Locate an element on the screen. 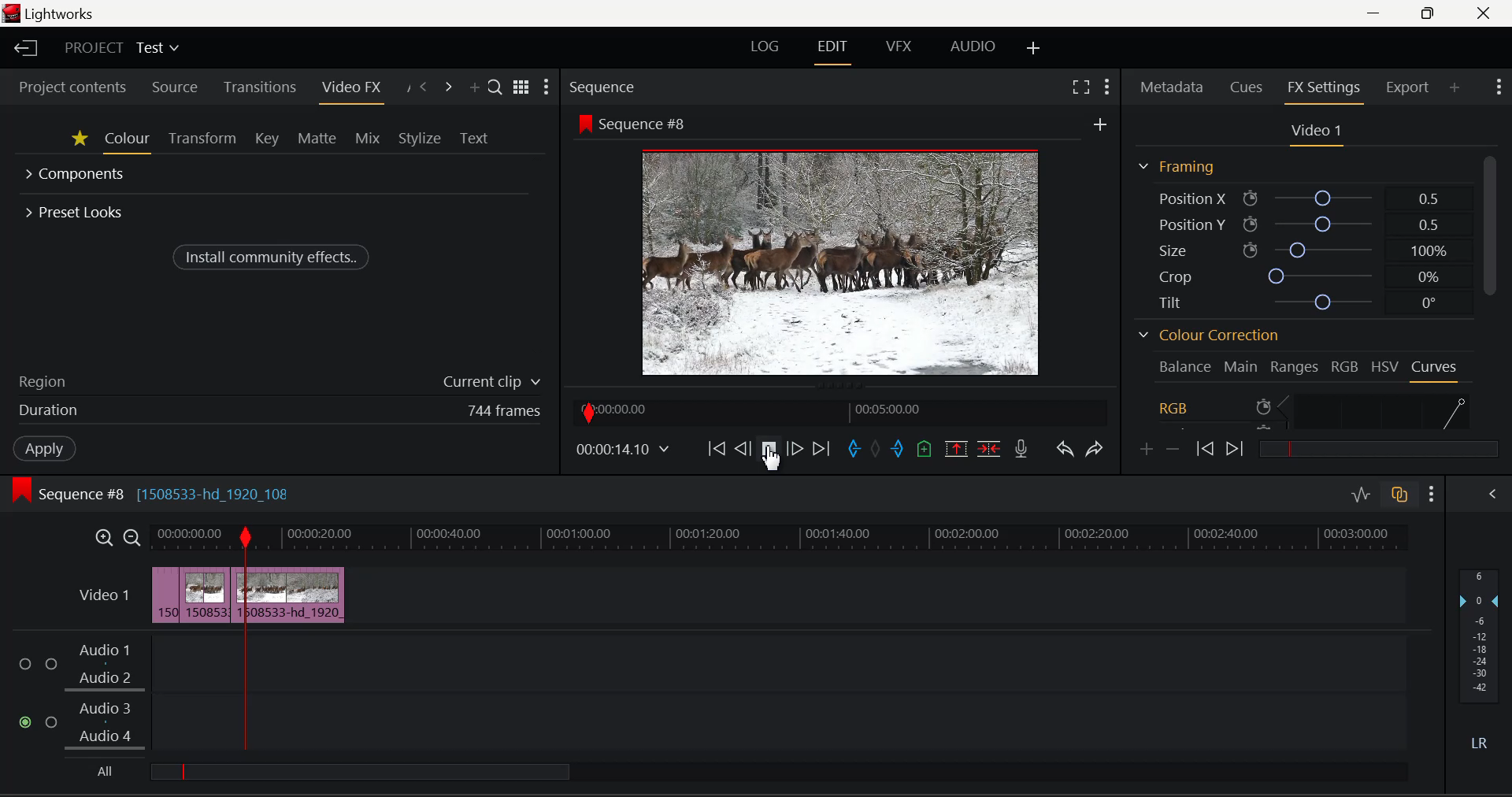 Image resolution: width=1512 pixels, height=797 pixels. Position X is located at coordinates (1296, 198).